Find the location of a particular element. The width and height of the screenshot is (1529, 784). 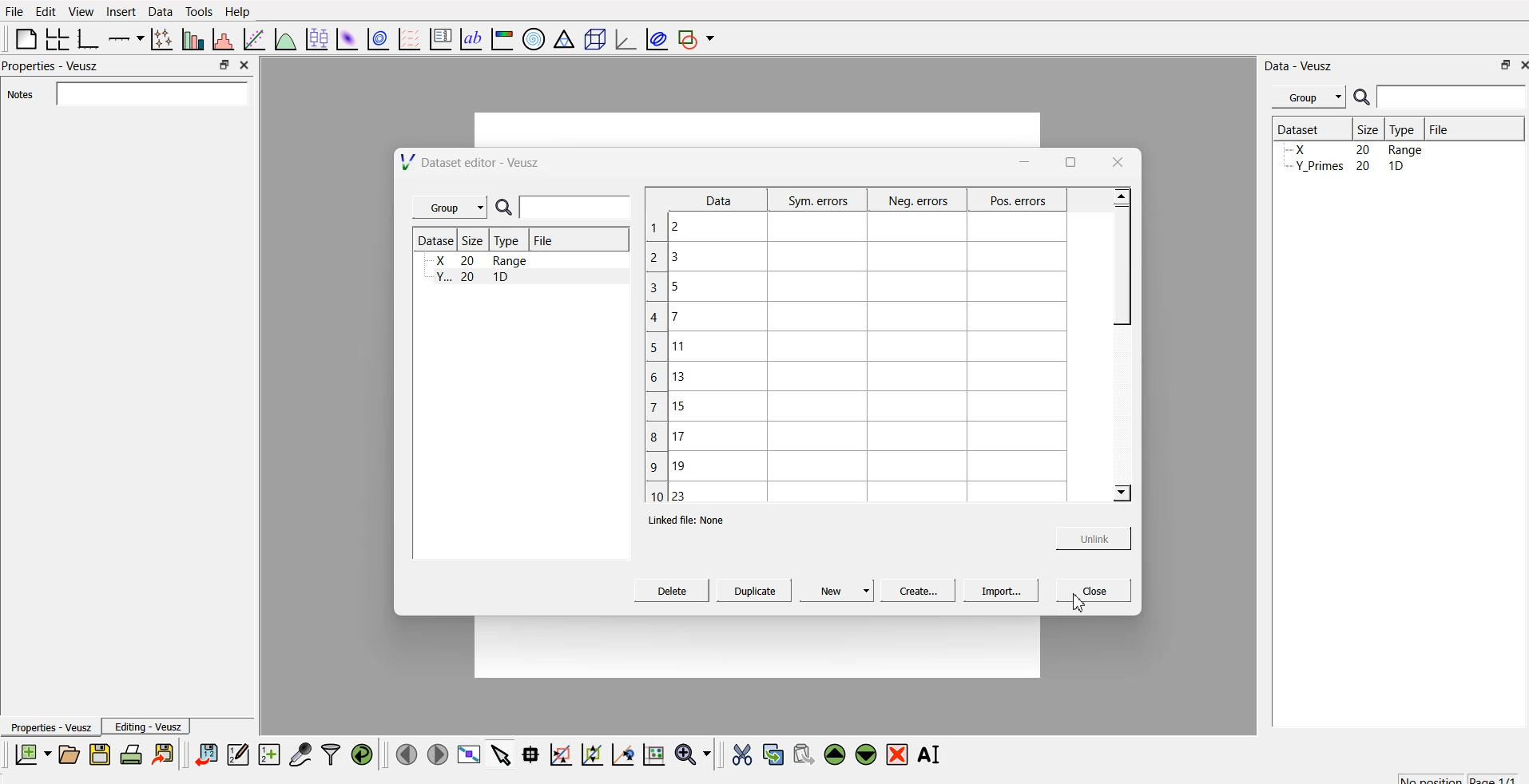

Editing - Veusz is located at coordinates (150, 727).